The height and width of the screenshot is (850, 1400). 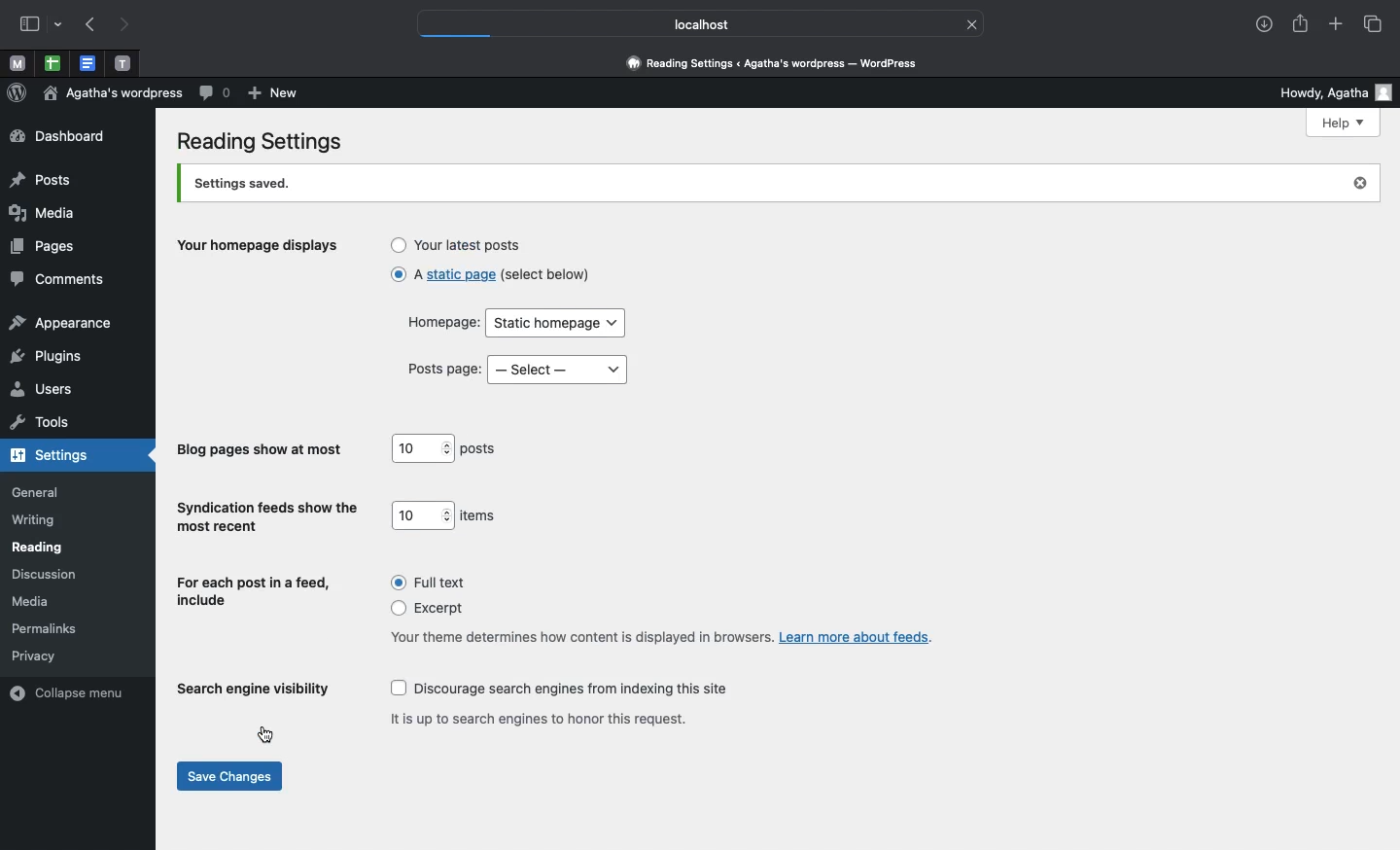 I want to click on collapse menu, so click(x=72, y=691).